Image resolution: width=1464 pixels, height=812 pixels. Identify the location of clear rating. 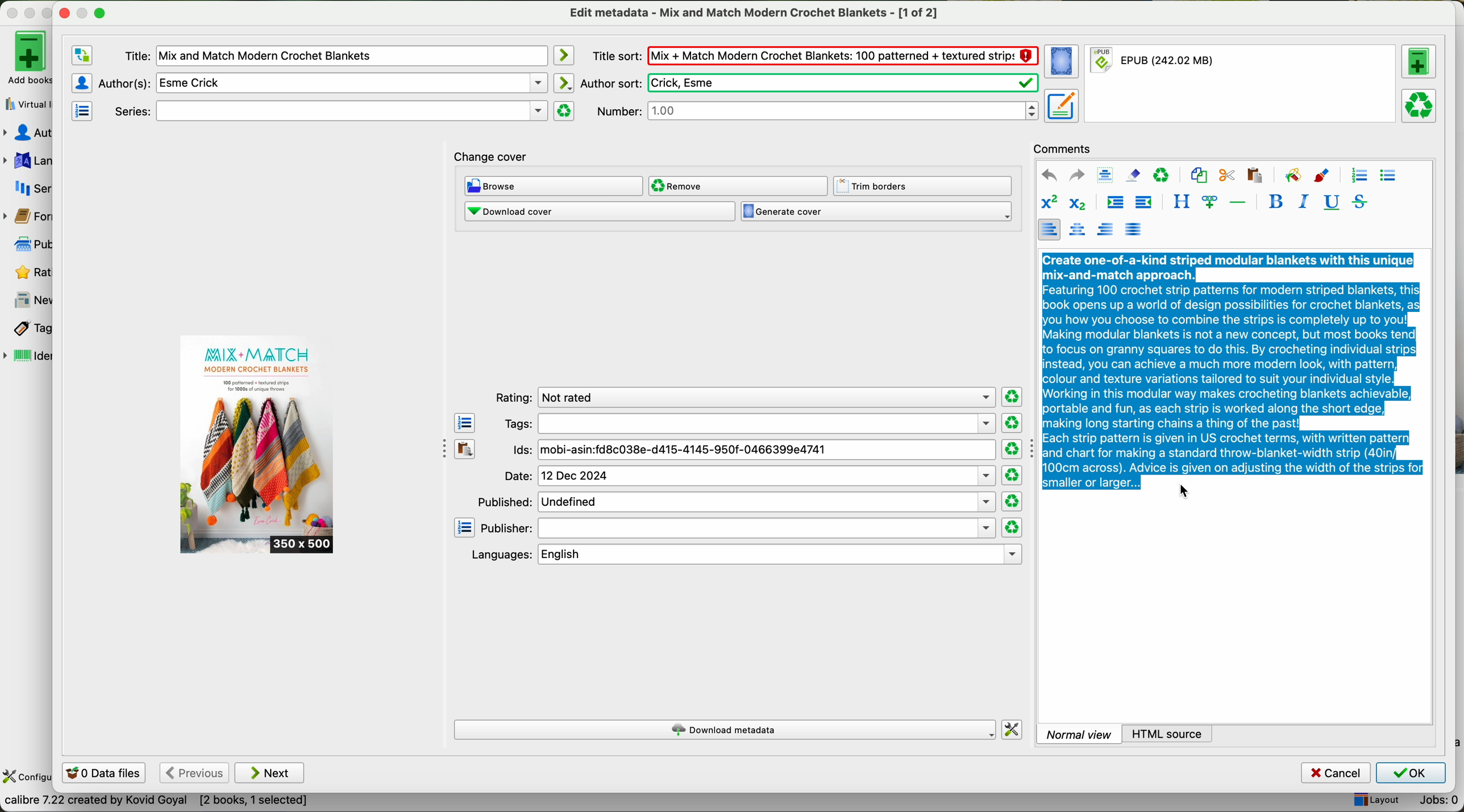
(1011, 423).